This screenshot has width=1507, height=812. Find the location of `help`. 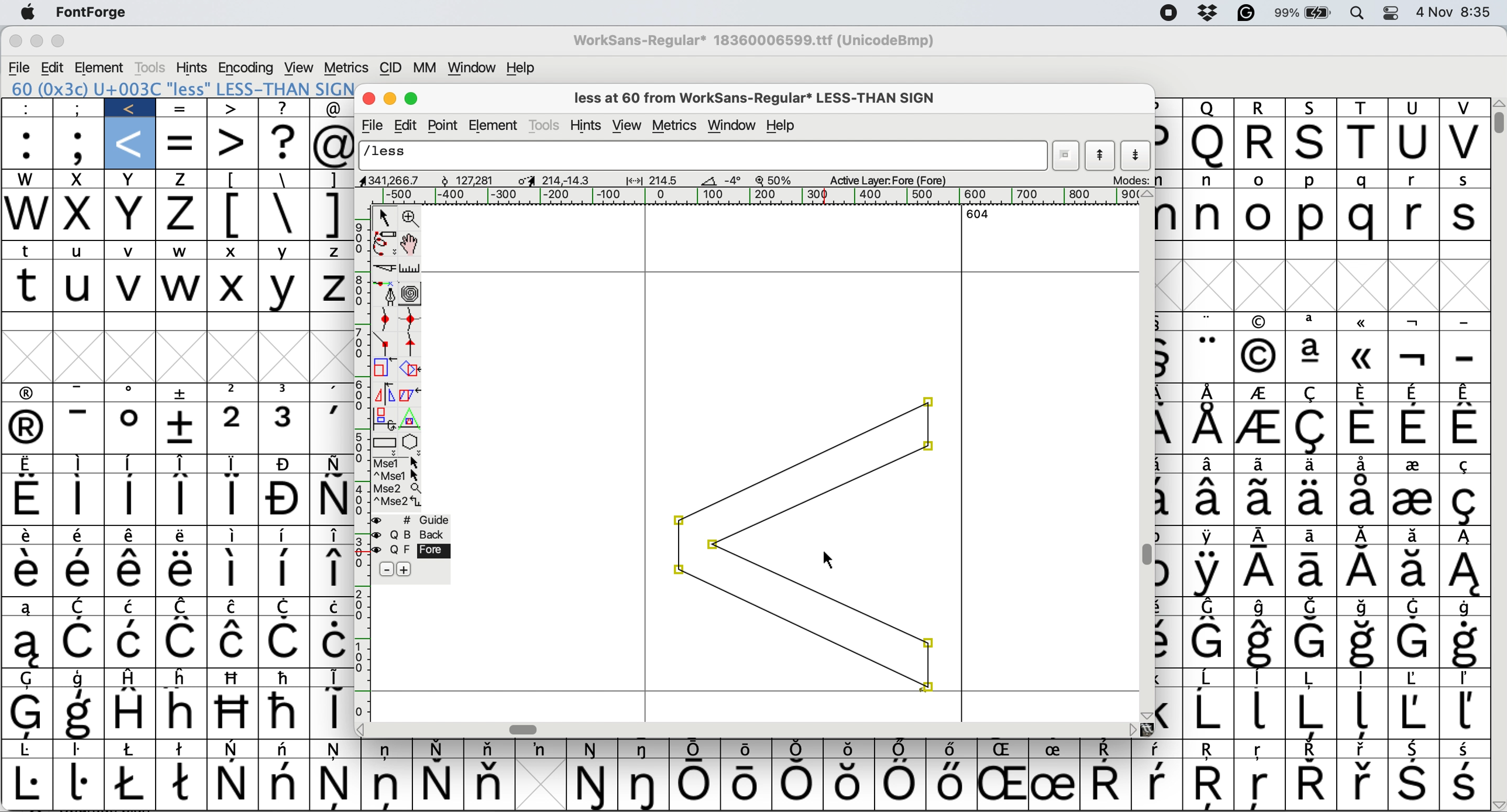

help is located at coordinates (521, 66).